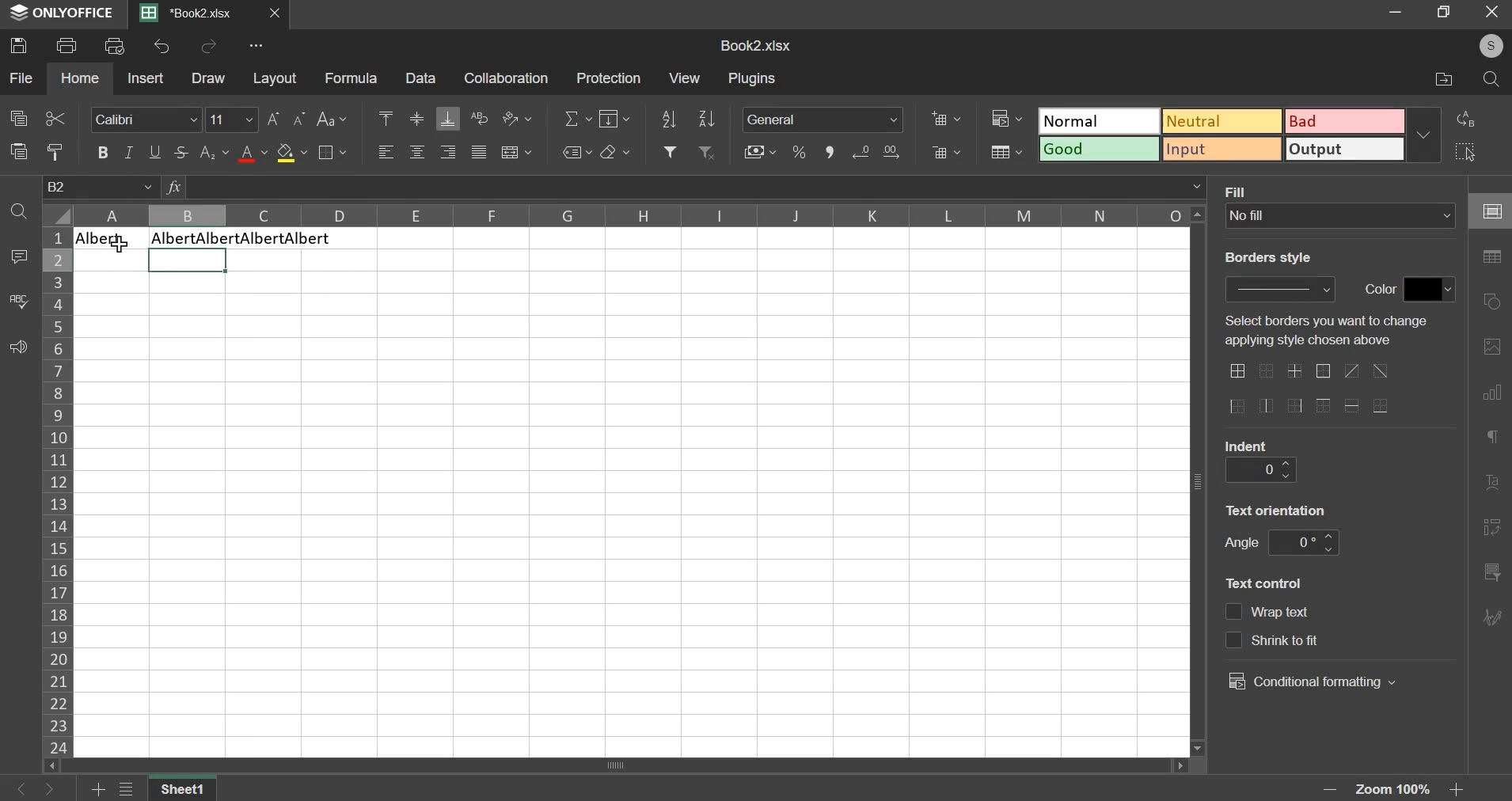  I want to click on remove filter, so click(708, 152).